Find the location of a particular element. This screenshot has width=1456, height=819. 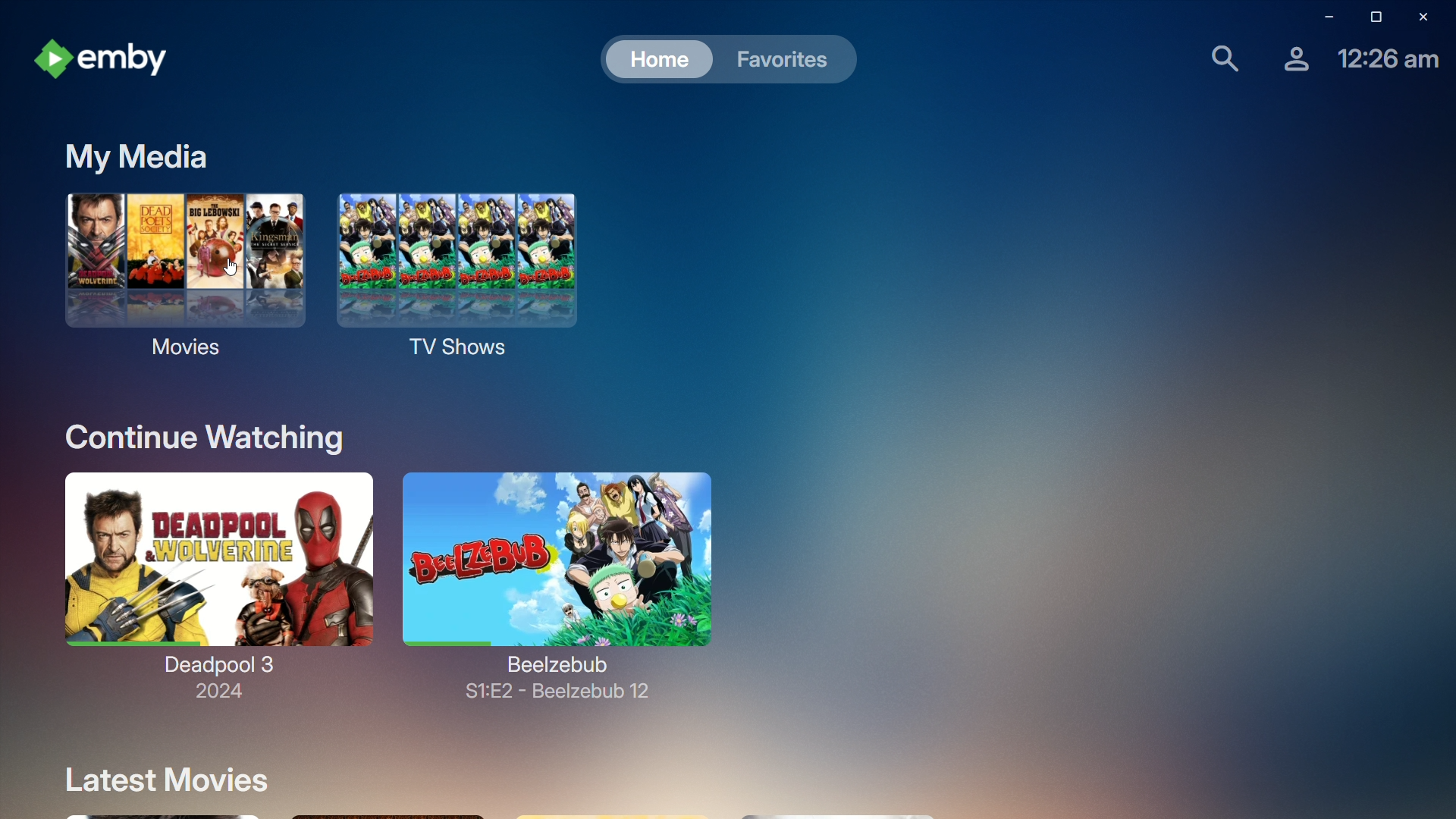

Beelzebub is located at coordinates (563, 570).